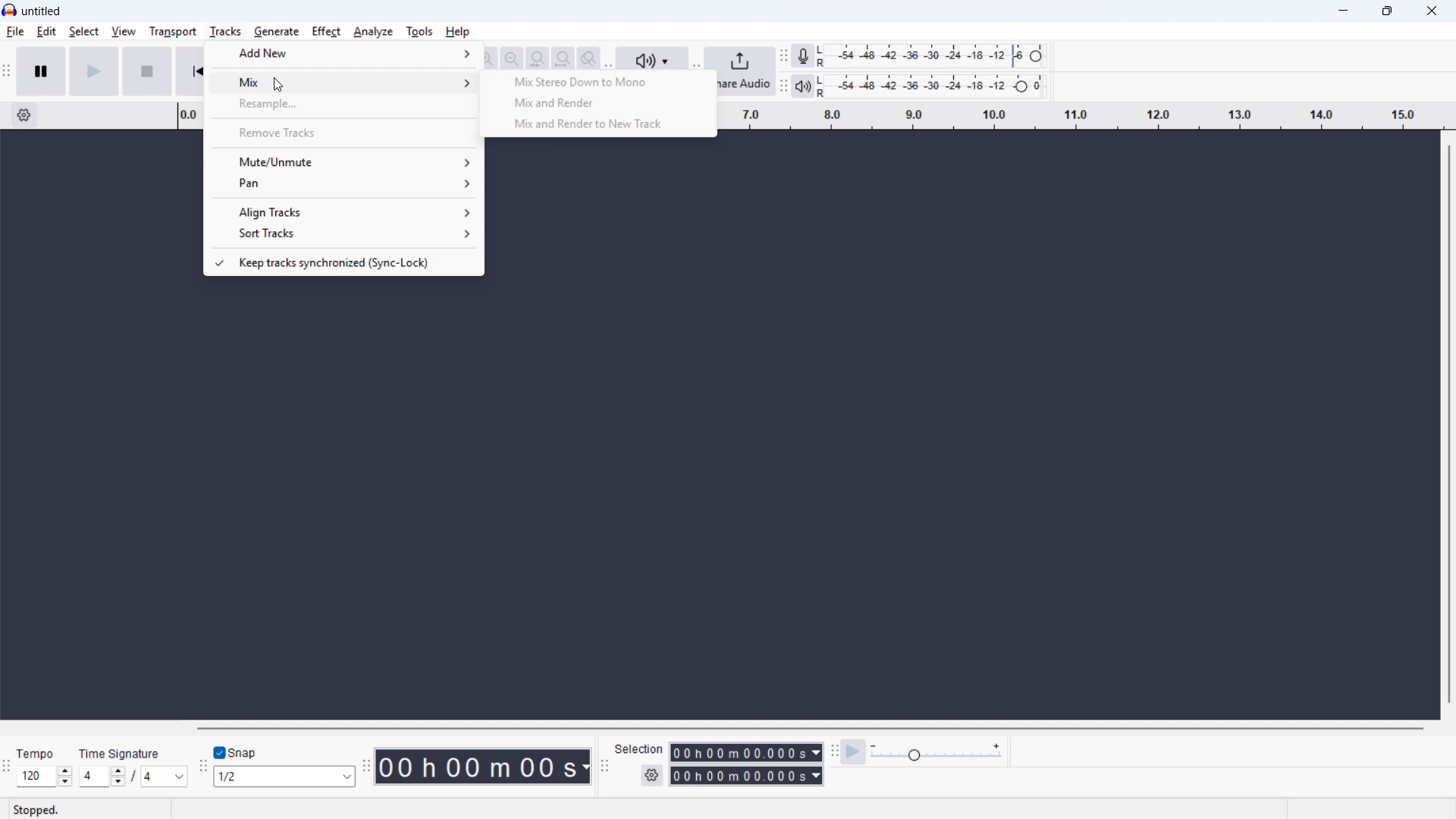 The image size is (1456, 819). What do you see at coordinates (96, 71) in the screenshot?
I see `Play ` at bounding box center [96, 71].